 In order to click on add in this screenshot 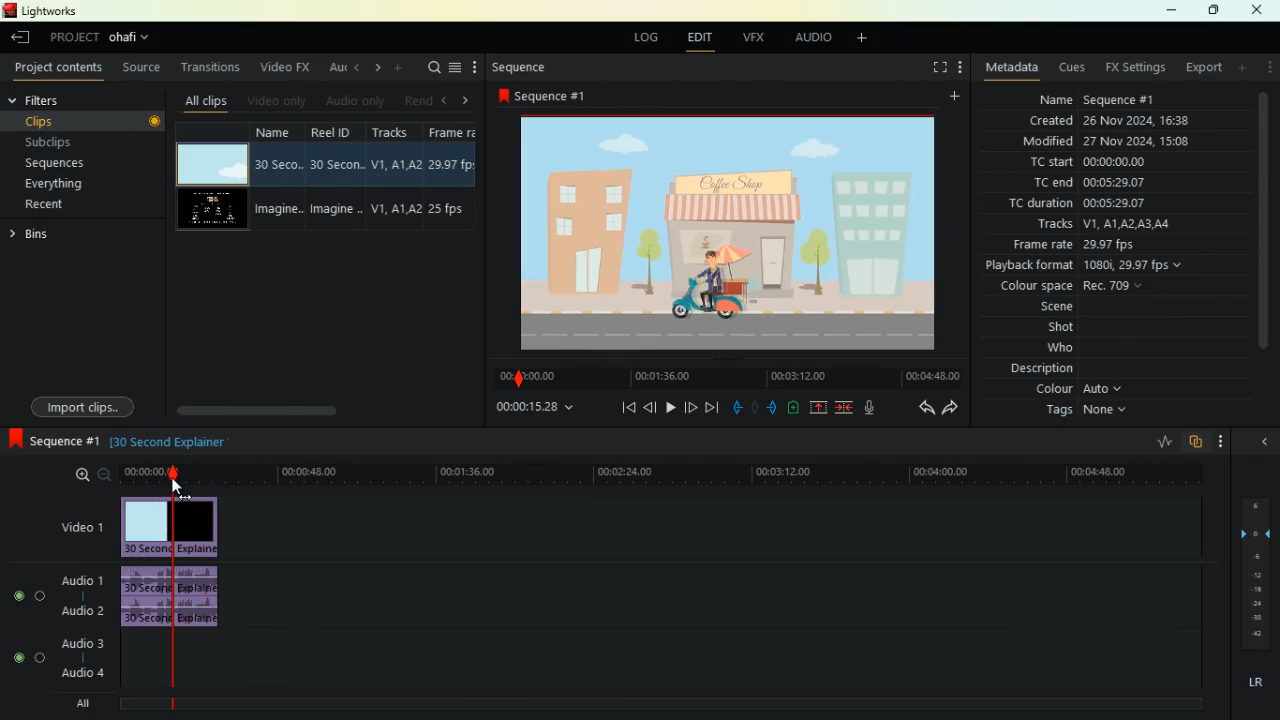, I will do `click(402, 68)`.